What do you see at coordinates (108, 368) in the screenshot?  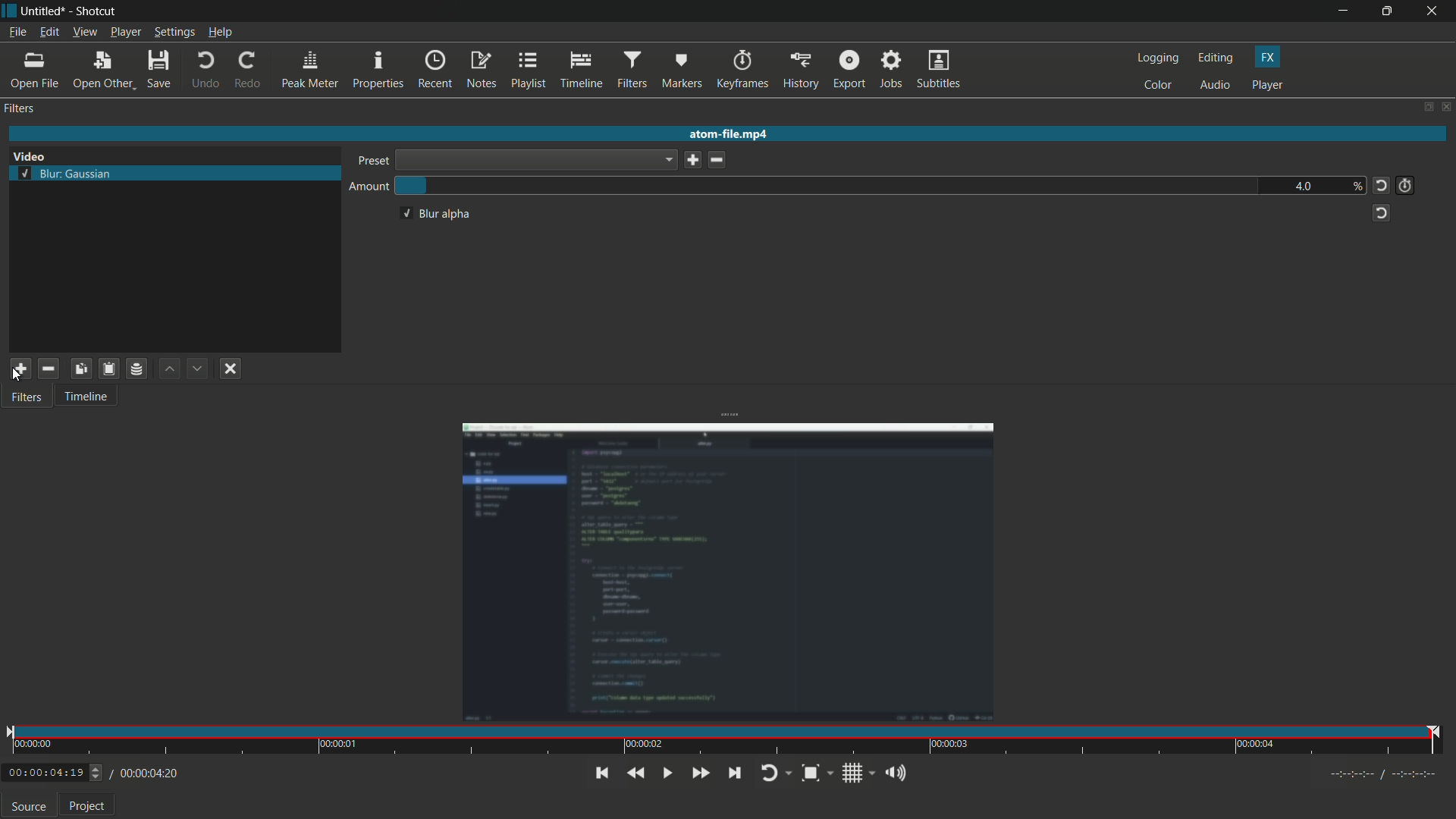 I see `paste filters` at bounding box center [108, 368].